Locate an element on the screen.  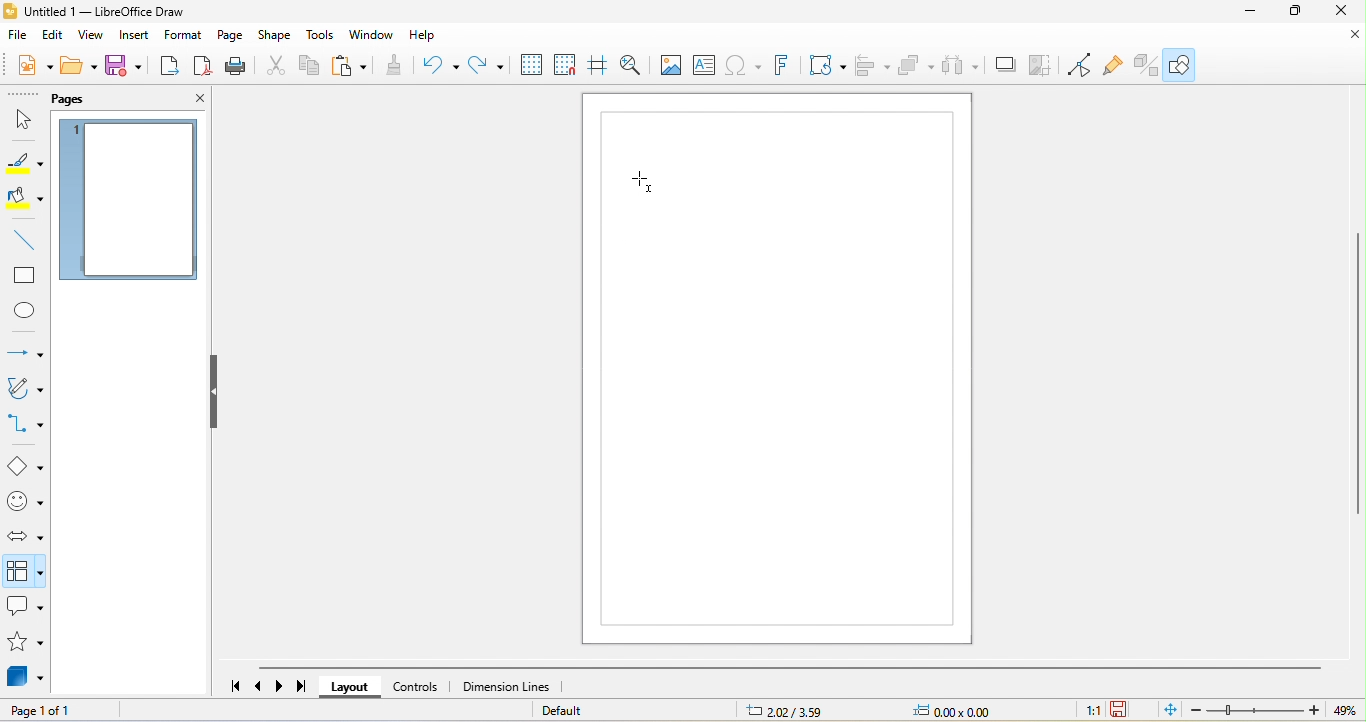
ellipse is located at coordinates (23, 310).